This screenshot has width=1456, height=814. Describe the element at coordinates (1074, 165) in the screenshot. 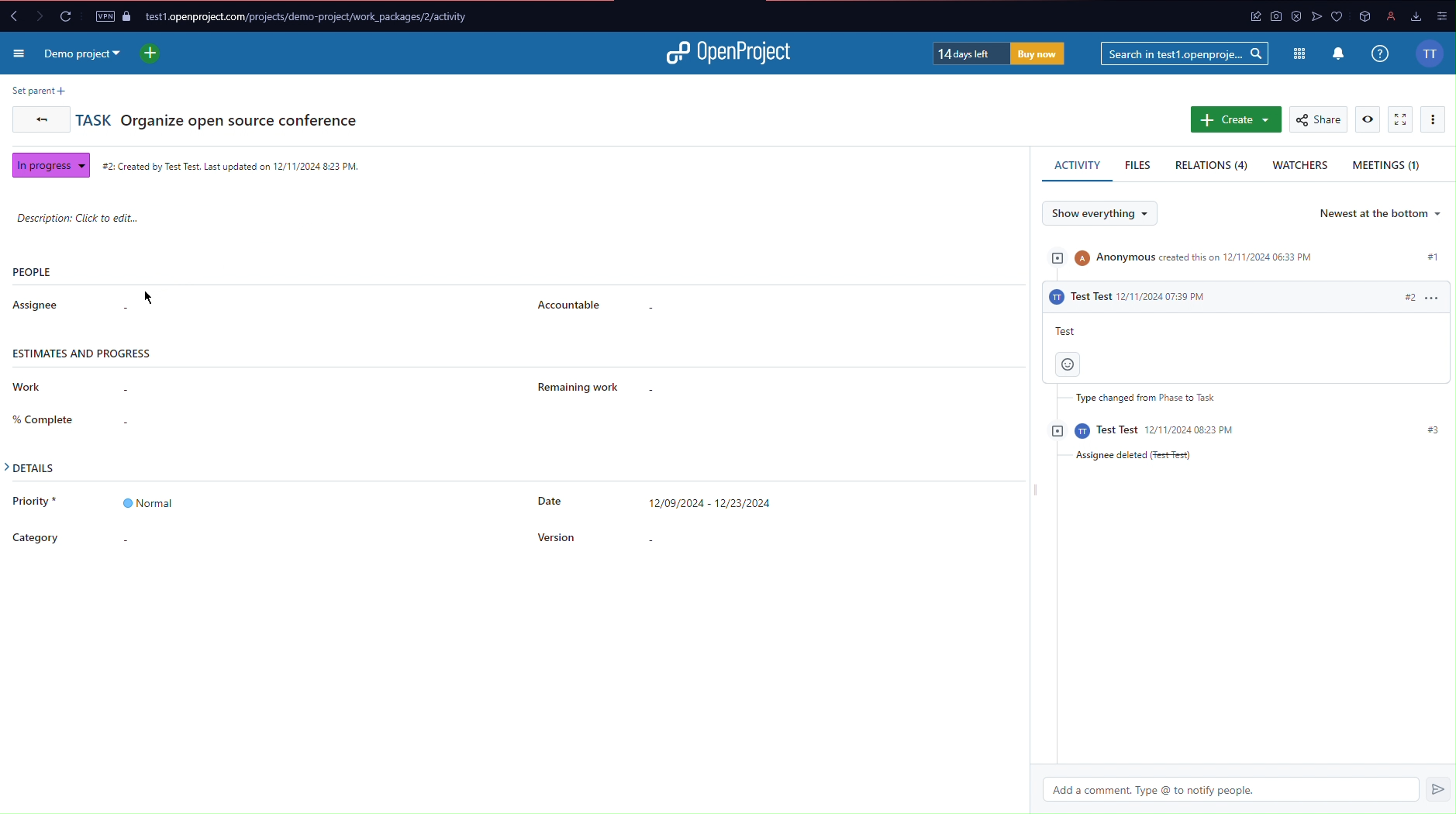

I see `Activity ` at that location.